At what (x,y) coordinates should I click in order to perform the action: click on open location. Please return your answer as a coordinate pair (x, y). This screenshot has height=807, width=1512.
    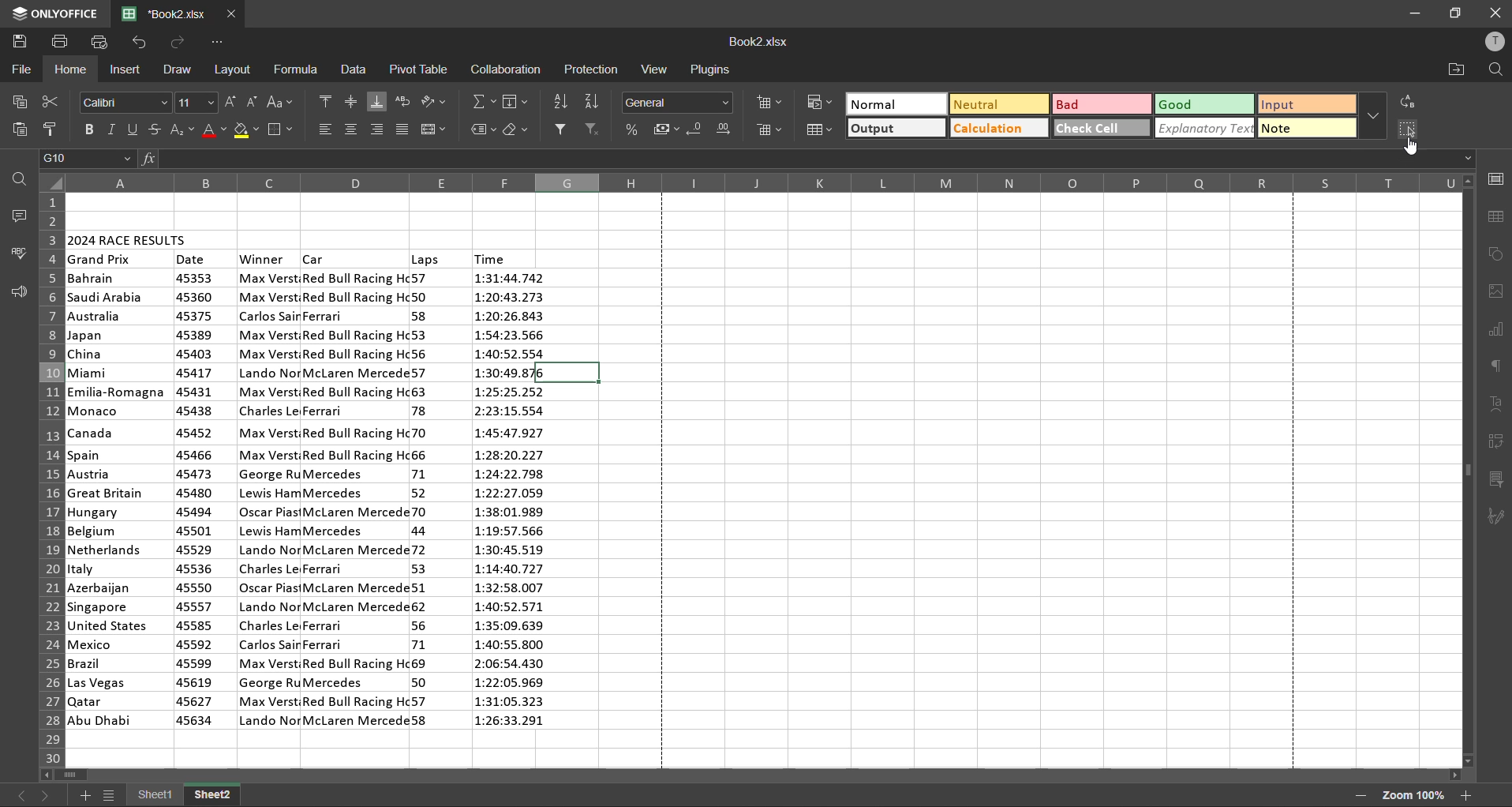
    Looking at the image, I should click on (1452, 69).